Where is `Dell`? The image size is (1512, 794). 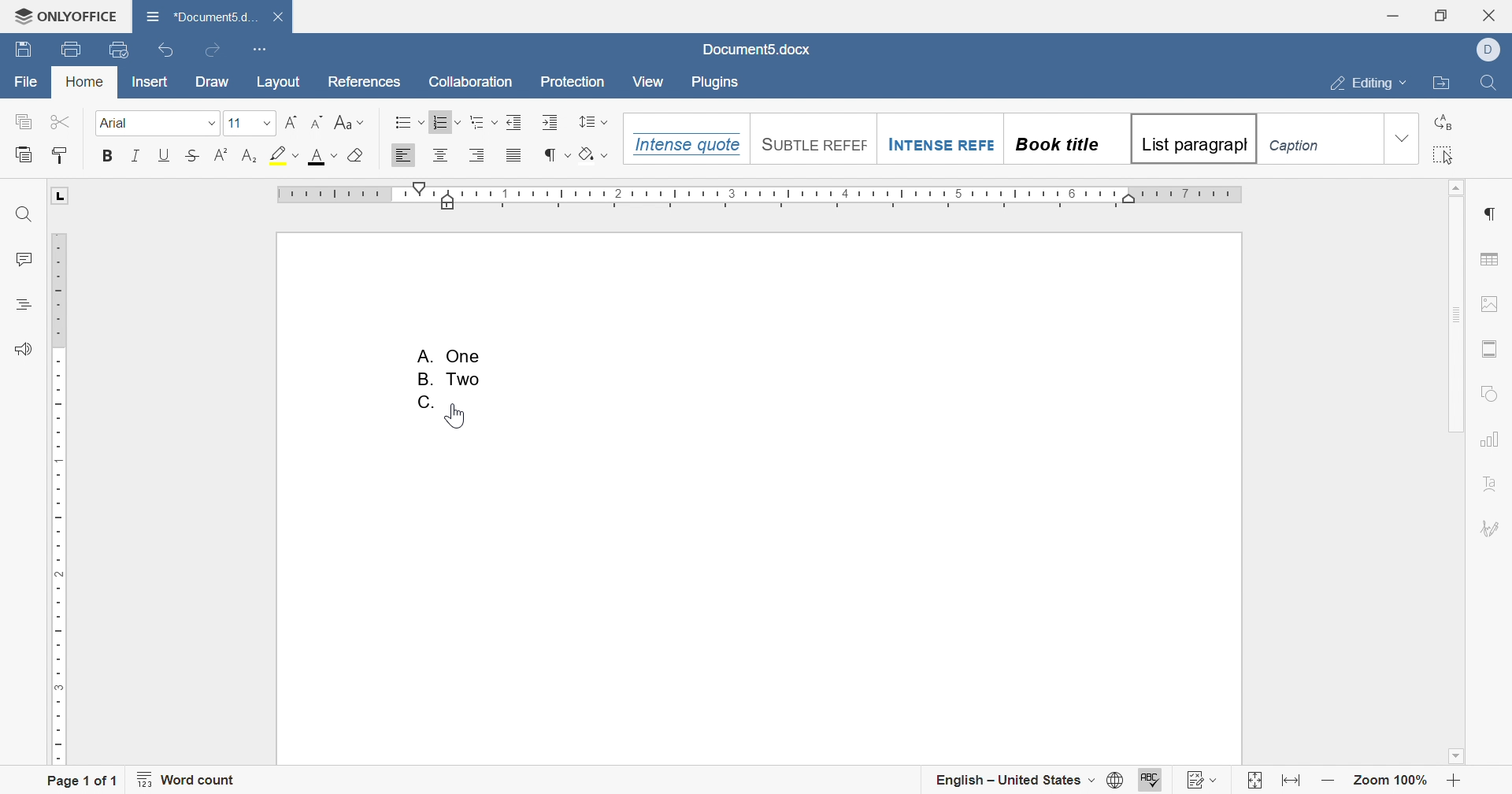 Dell is located at coordinates (1492, 48).